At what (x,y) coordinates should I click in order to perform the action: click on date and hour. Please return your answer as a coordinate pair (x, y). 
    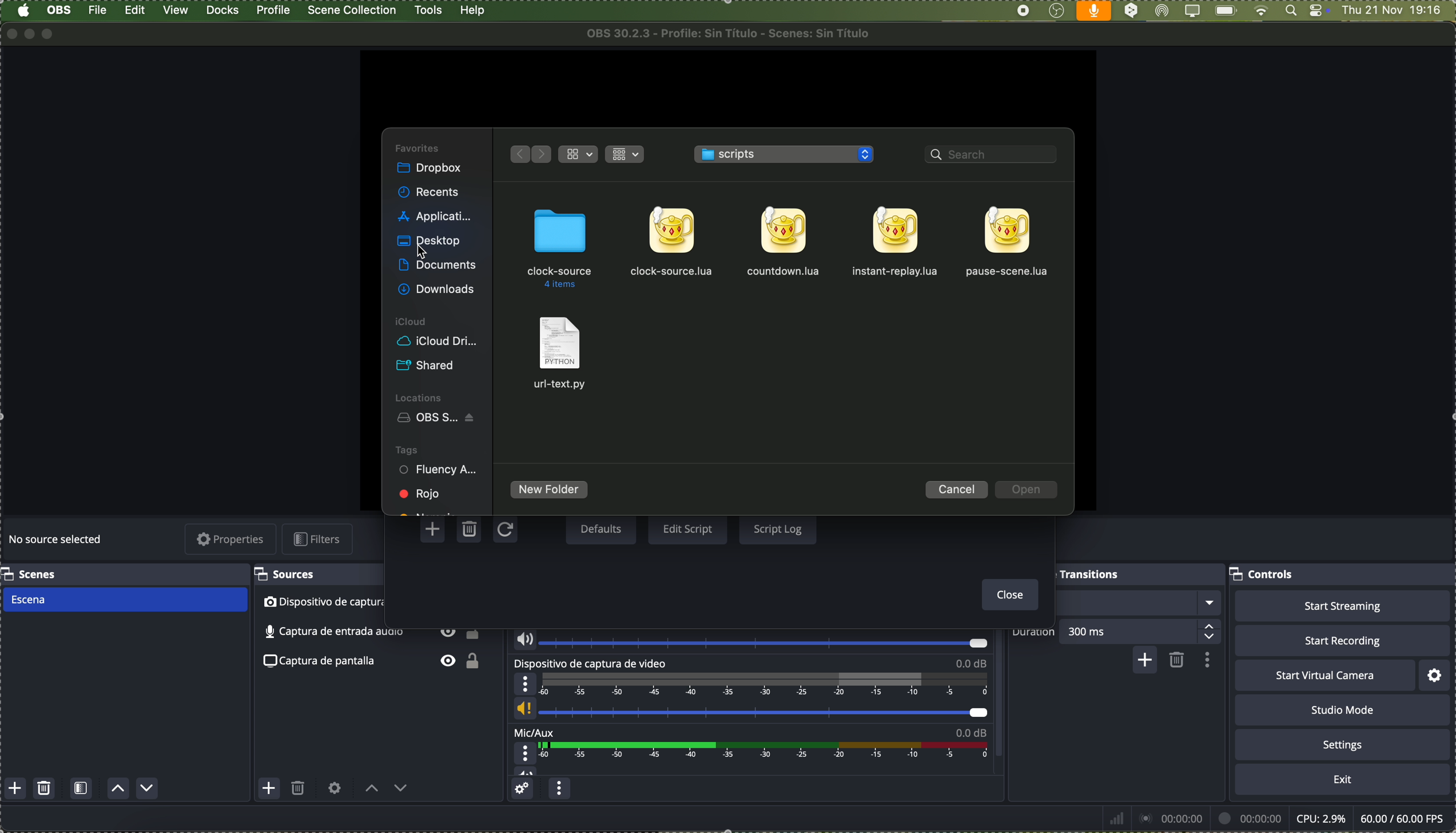
    Looking at the image, I should click on (1398, 11).